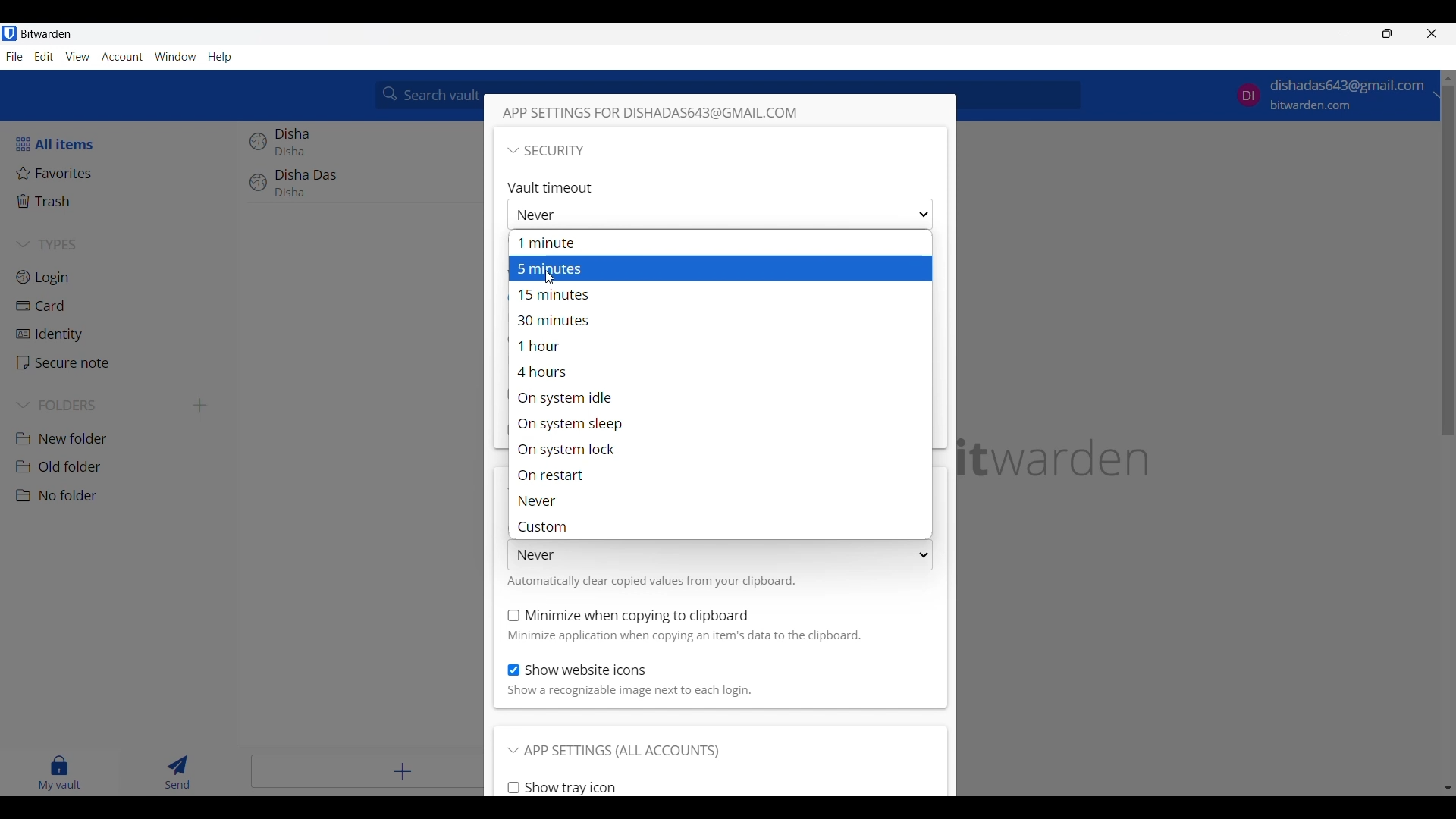  Describe the element at coordinates (718, 423) in the screenshot. I see `on system sleep` at that location.